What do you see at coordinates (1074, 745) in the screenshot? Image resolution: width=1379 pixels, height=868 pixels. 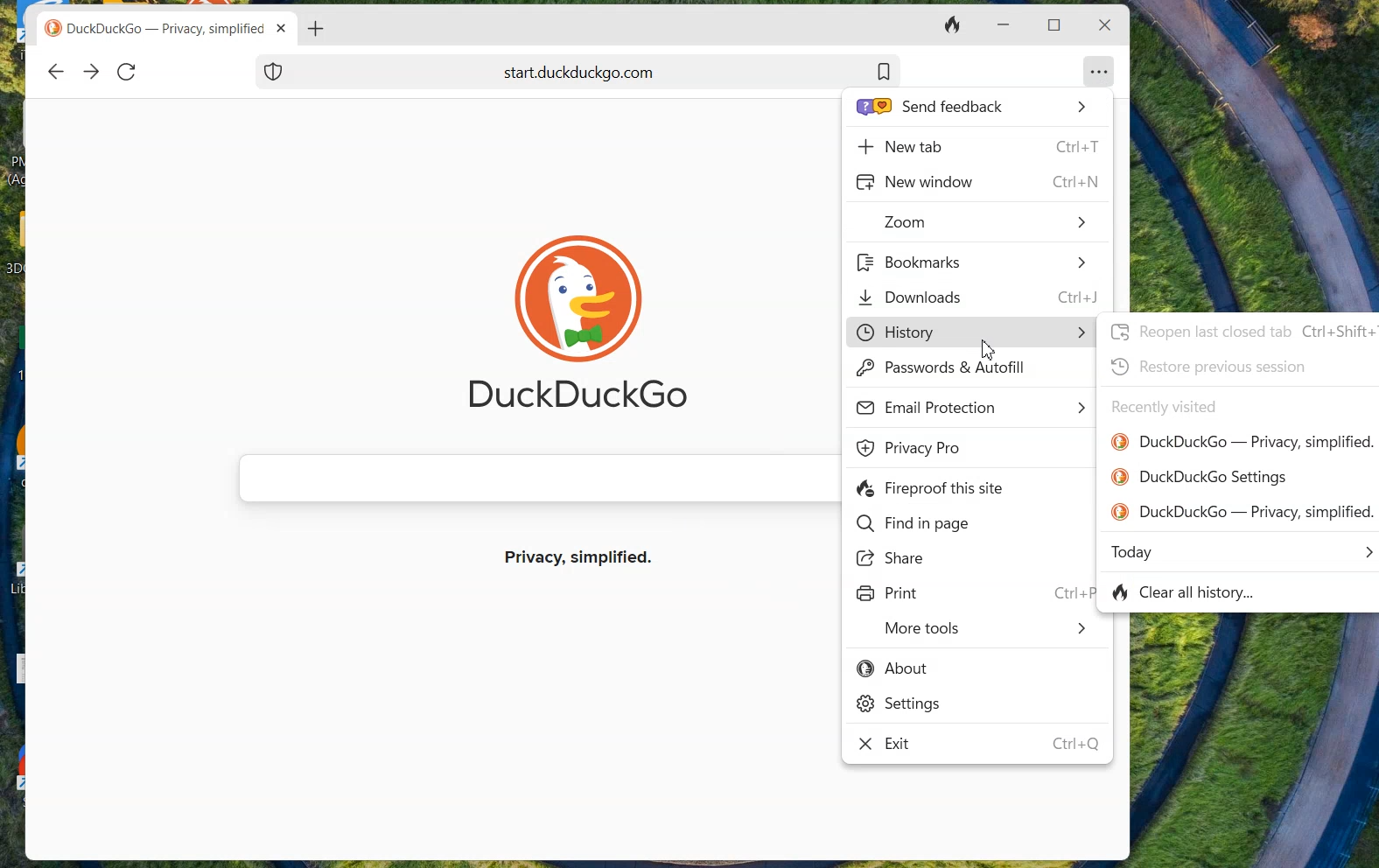 I see `short key` at bounding box center [1074, 745].